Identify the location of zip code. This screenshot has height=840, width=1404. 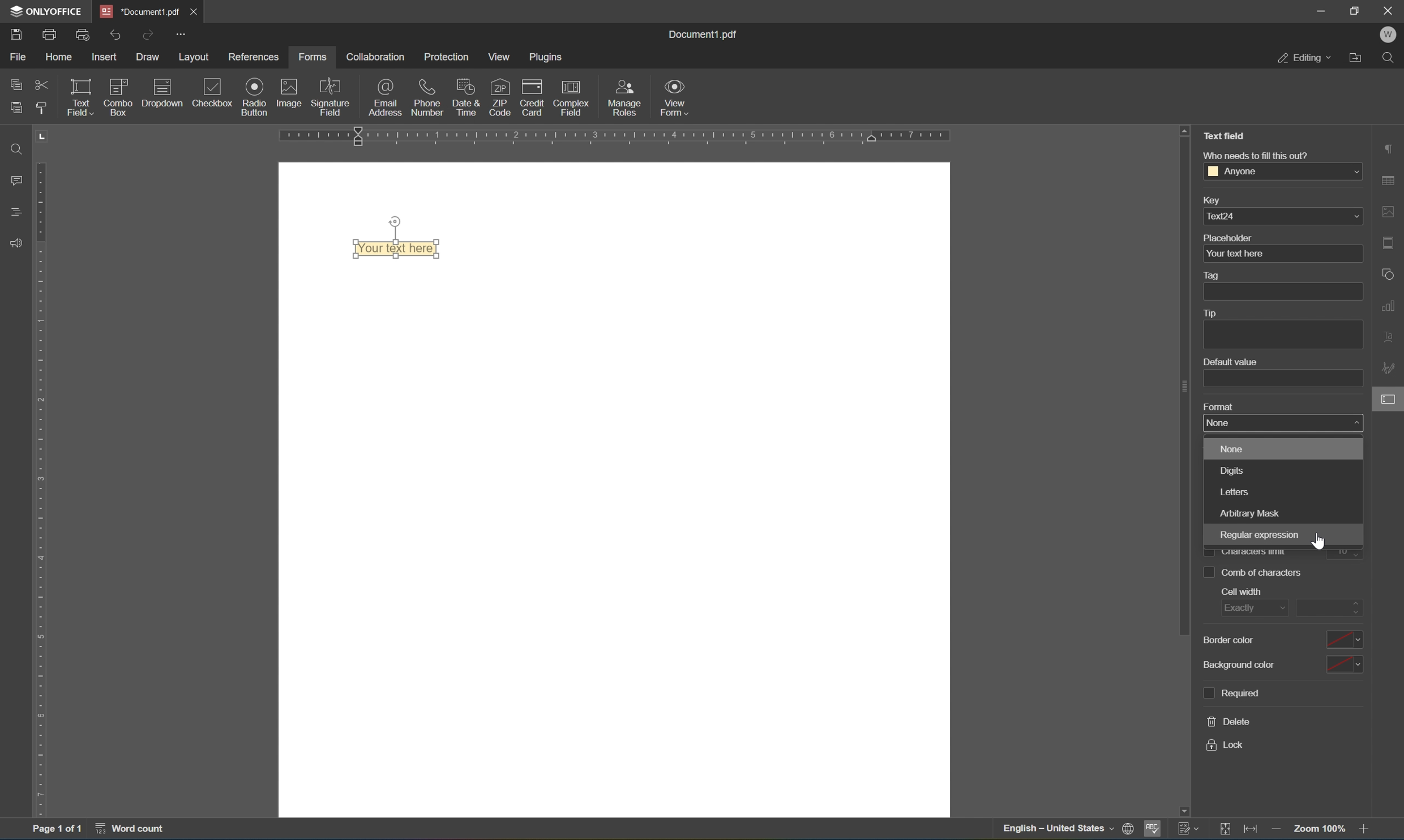
(500, 97).